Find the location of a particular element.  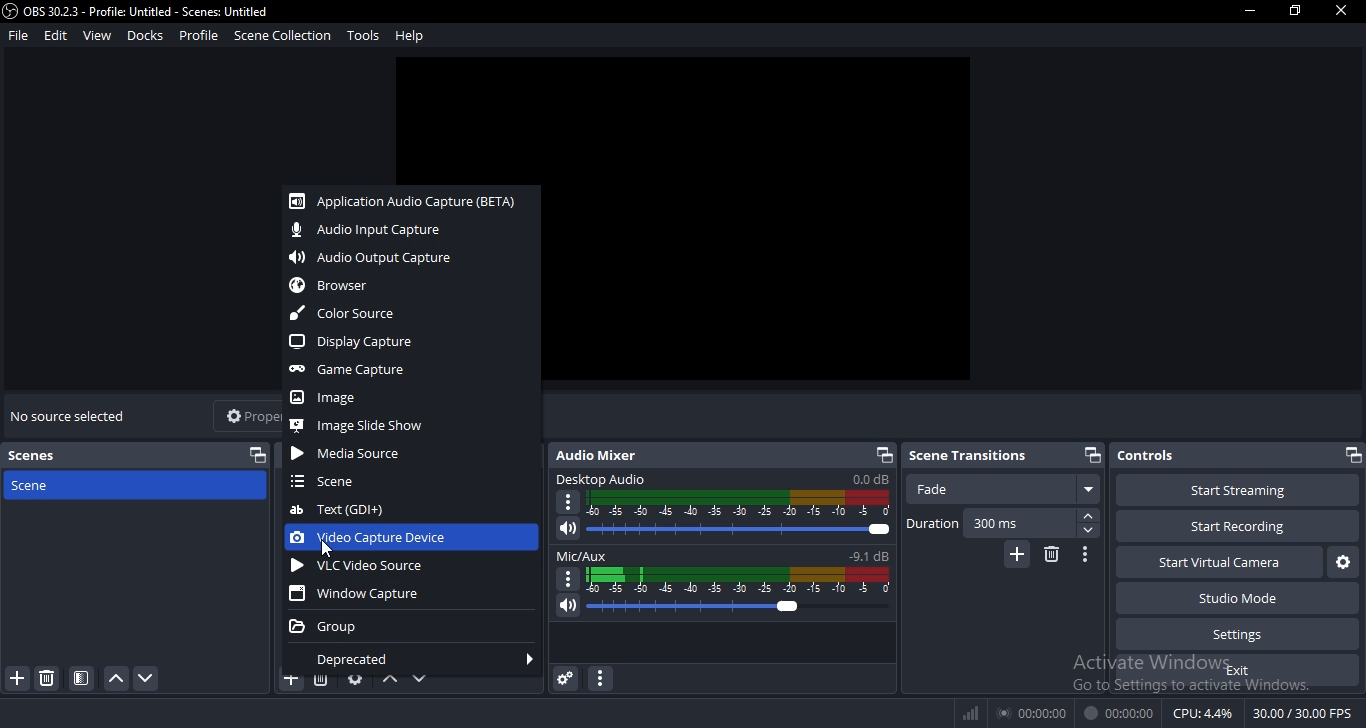

audio input capture is located at coordinates (371, 232).